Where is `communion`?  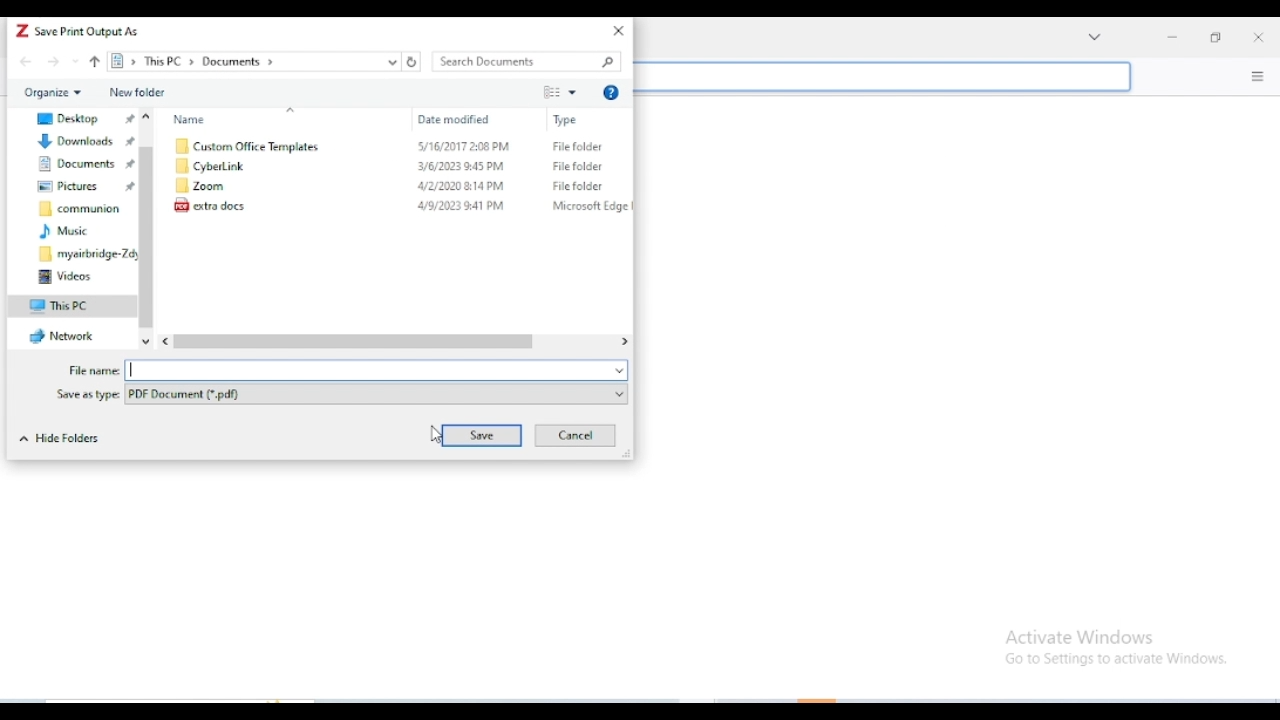 communion is located at coordinates (80, 207).